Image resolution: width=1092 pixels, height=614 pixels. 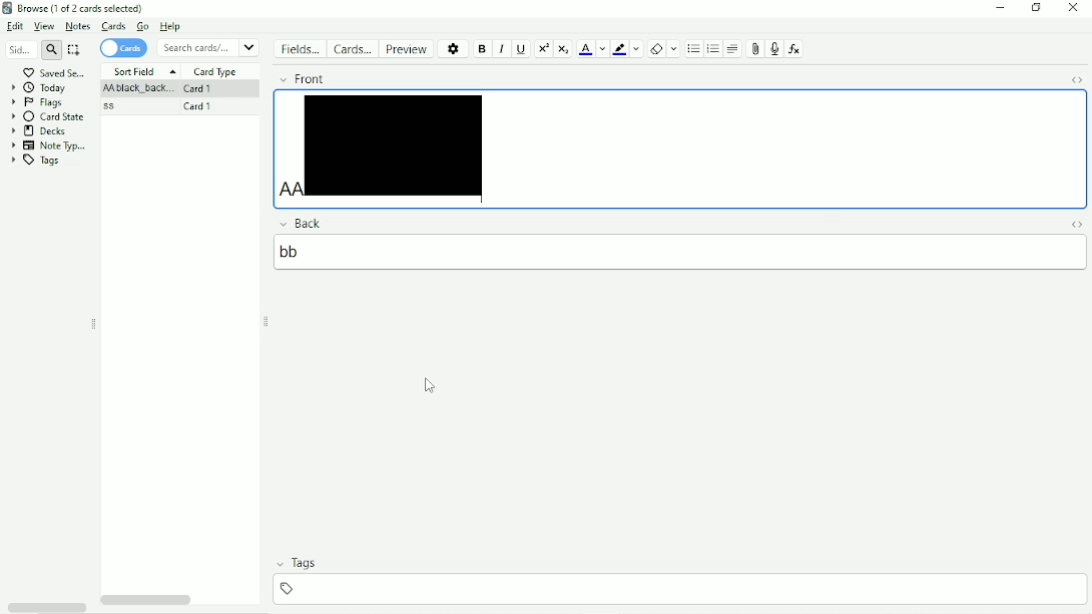 What do you see at coordinates (44, 26) in the screenshot?
I see `View` at bounding box center [44, 26].